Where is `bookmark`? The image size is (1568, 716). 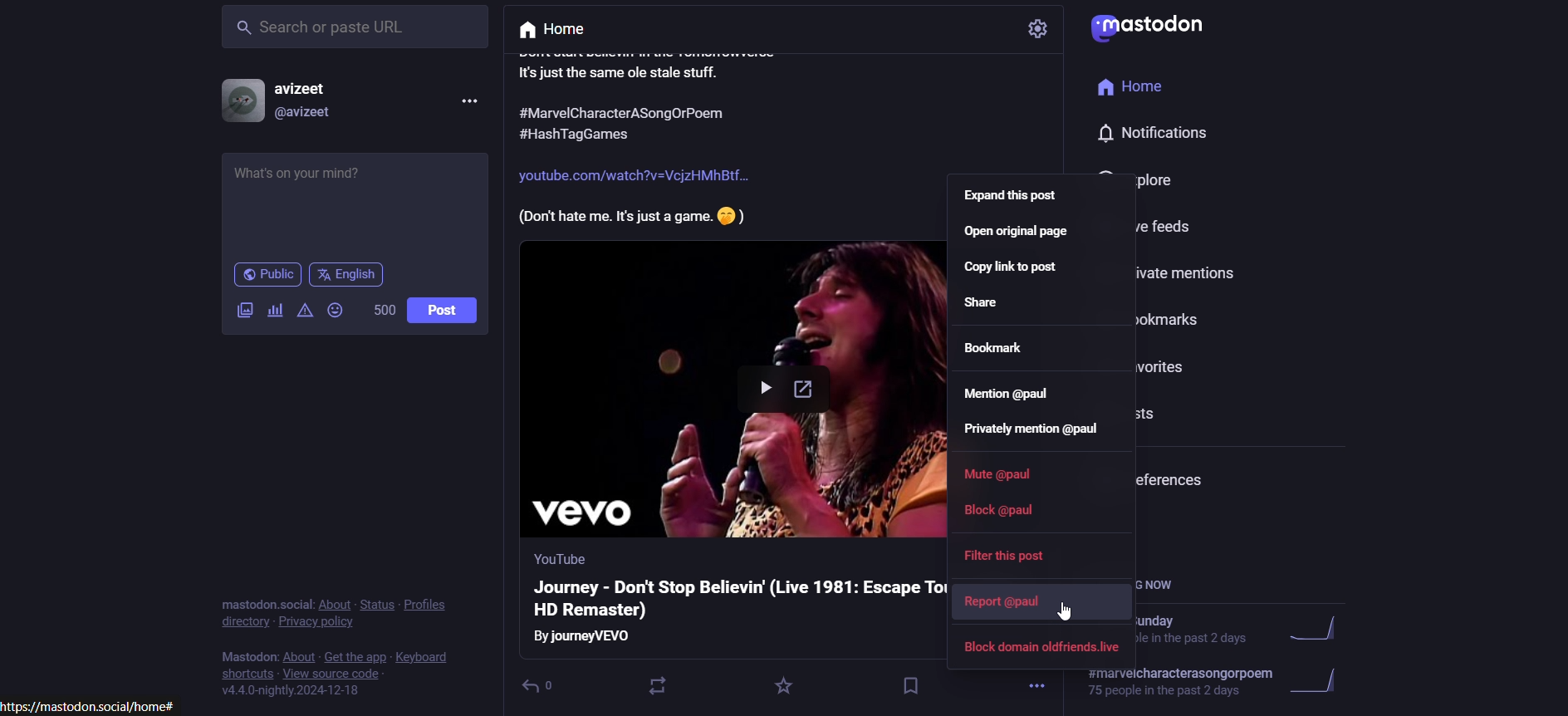
bookmark is located at coordinates (906, 684).